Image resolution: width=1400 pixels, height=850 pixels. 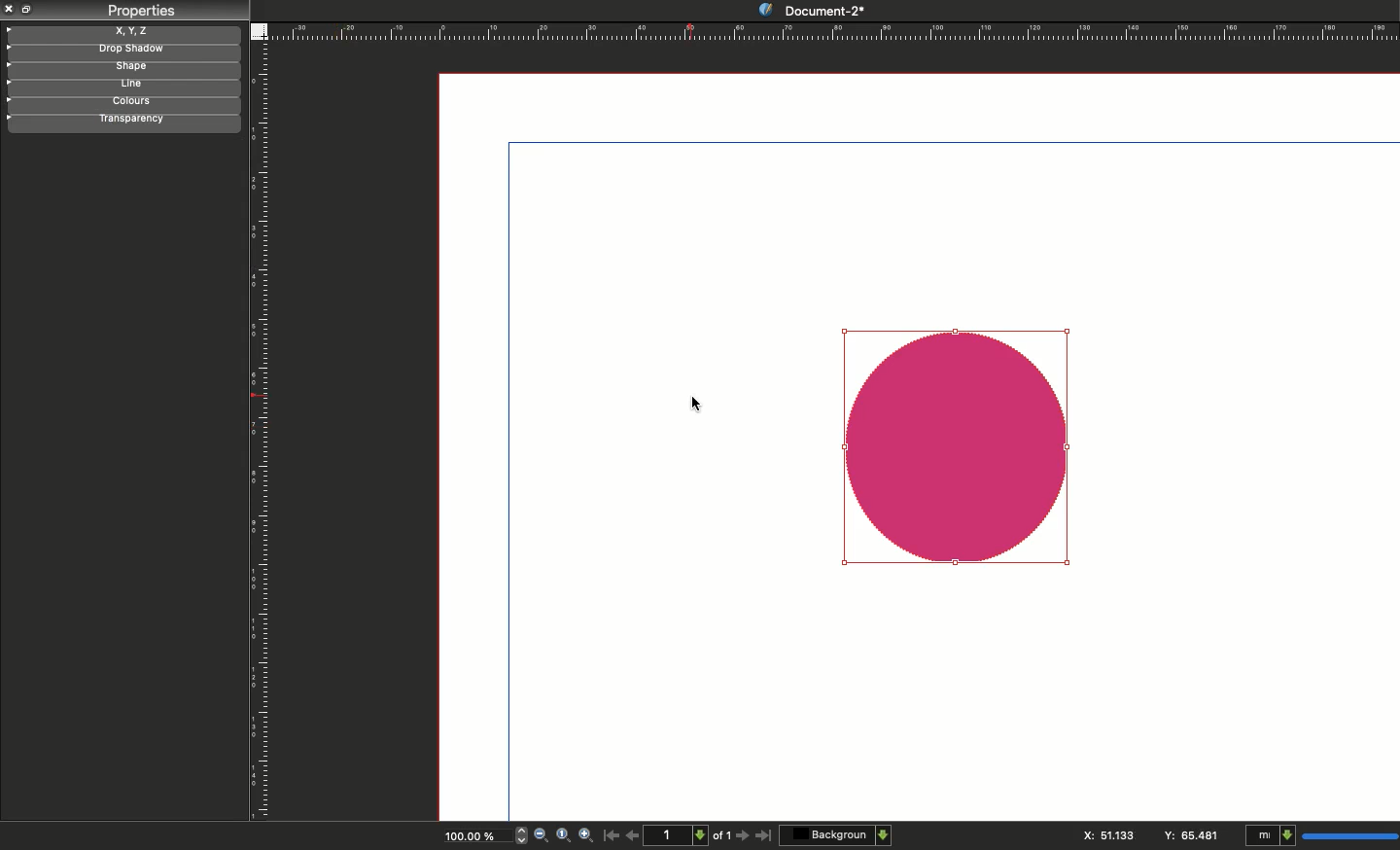 I want to click on cursor, so click(x=699, y=405).